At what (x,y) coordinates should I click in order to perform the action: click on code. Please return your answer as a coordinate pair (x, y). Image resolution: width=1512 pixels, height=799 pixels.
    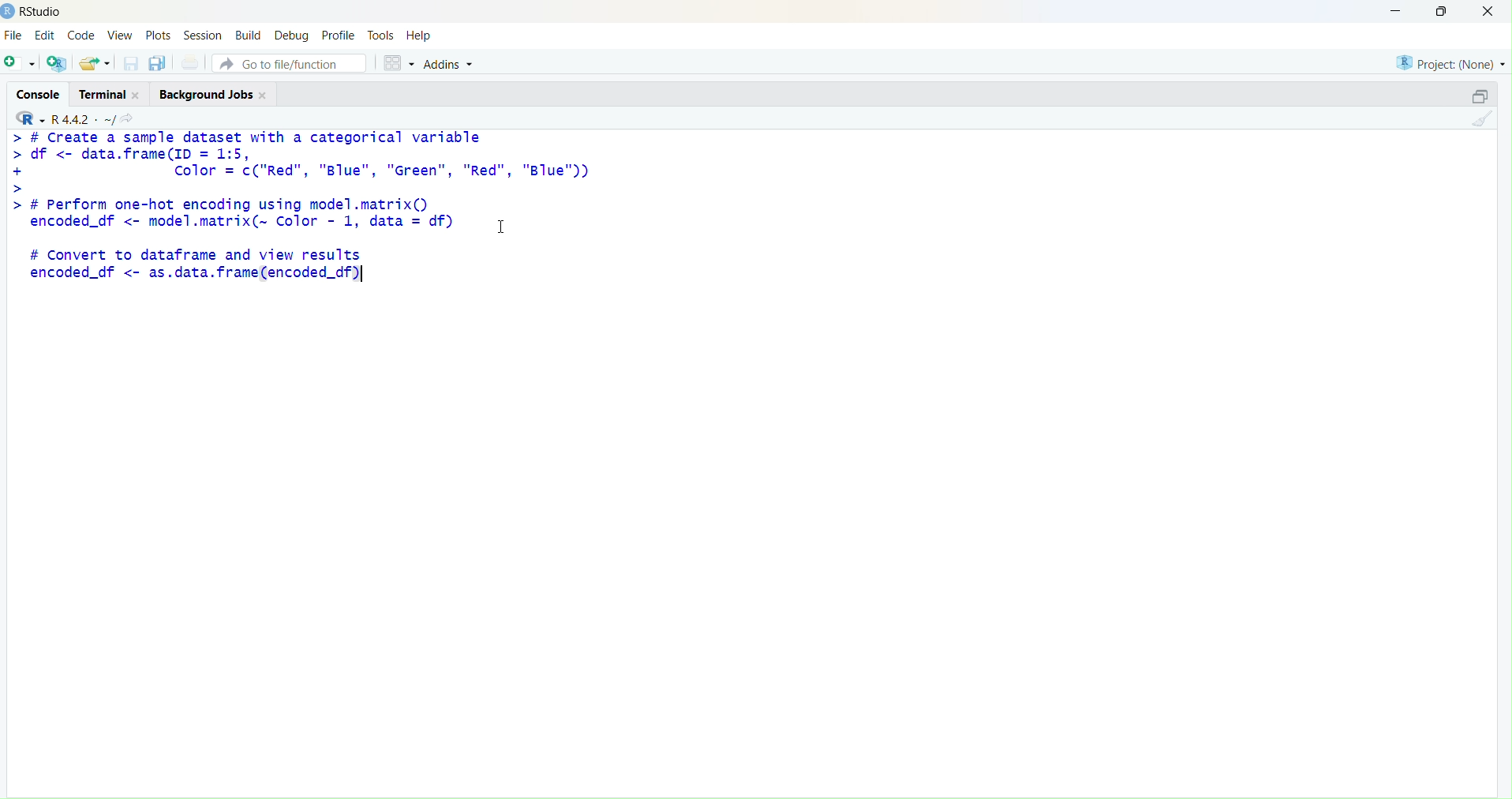
    Looking at the image, I should click on (81, 36).